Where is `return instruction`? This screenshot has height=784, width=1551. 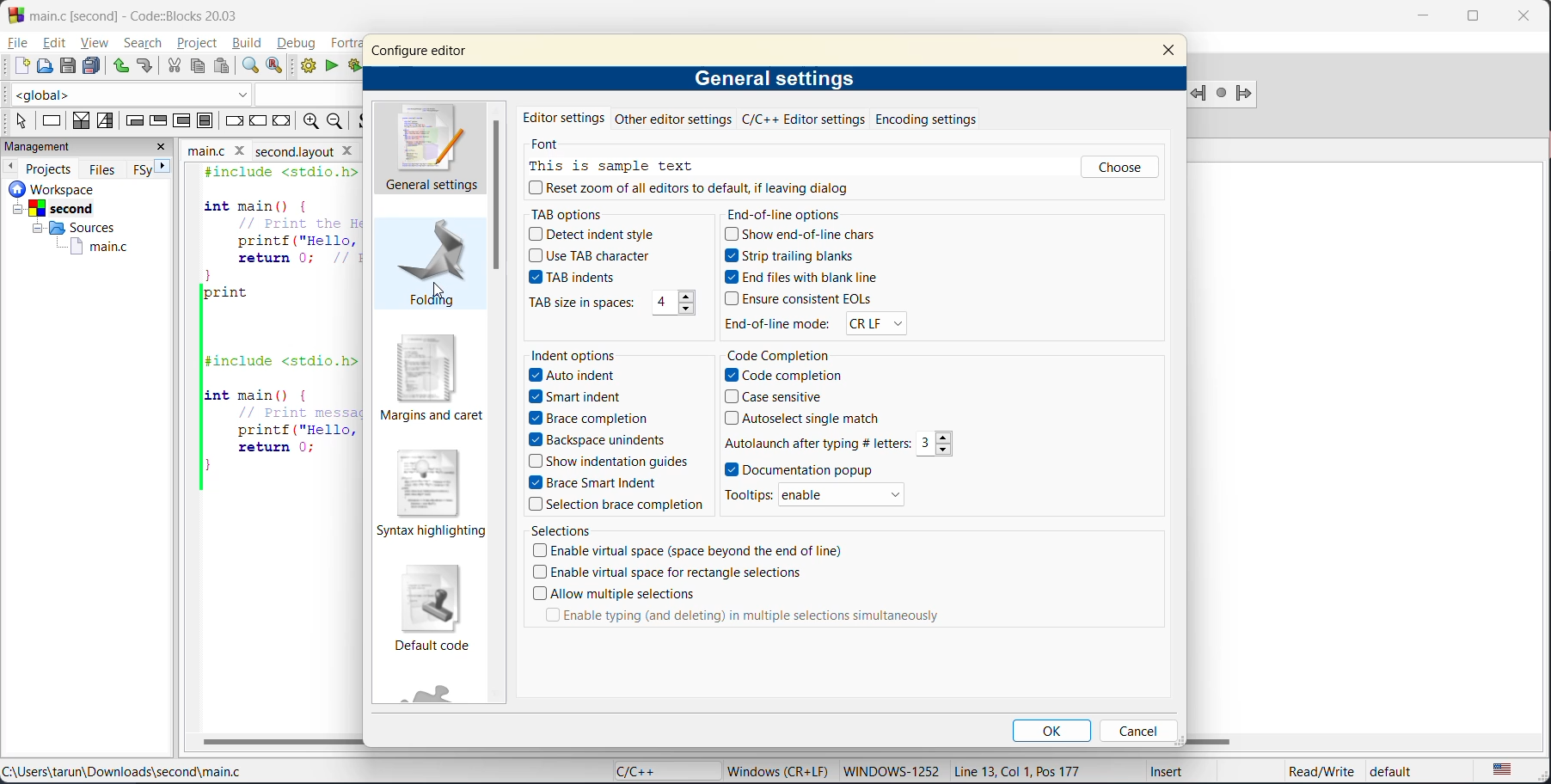
return instruction is located at coordinates (281, 123).